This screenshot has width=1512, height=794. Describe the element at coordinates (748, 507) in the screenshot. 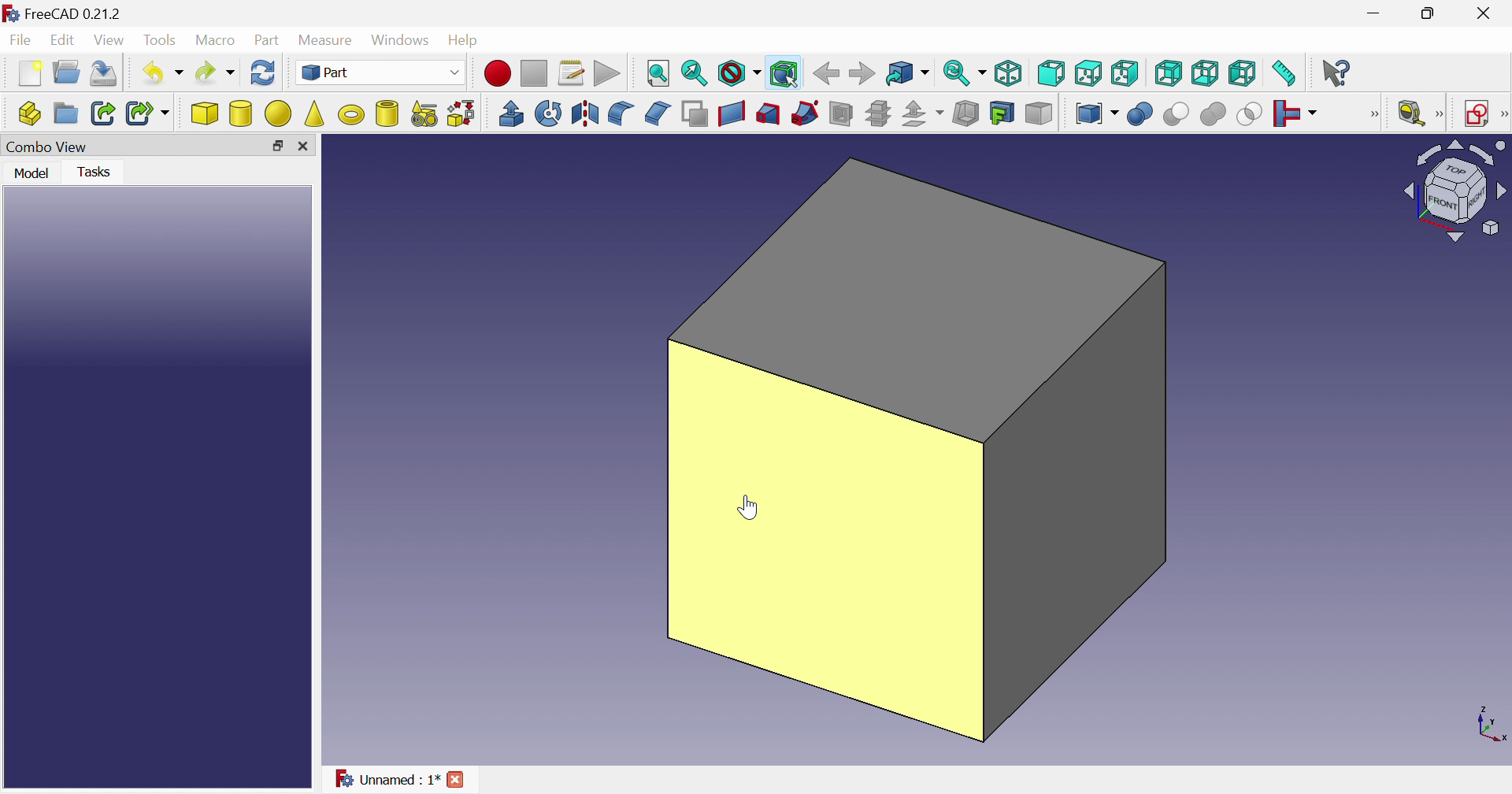

I see `cursor` at that location.